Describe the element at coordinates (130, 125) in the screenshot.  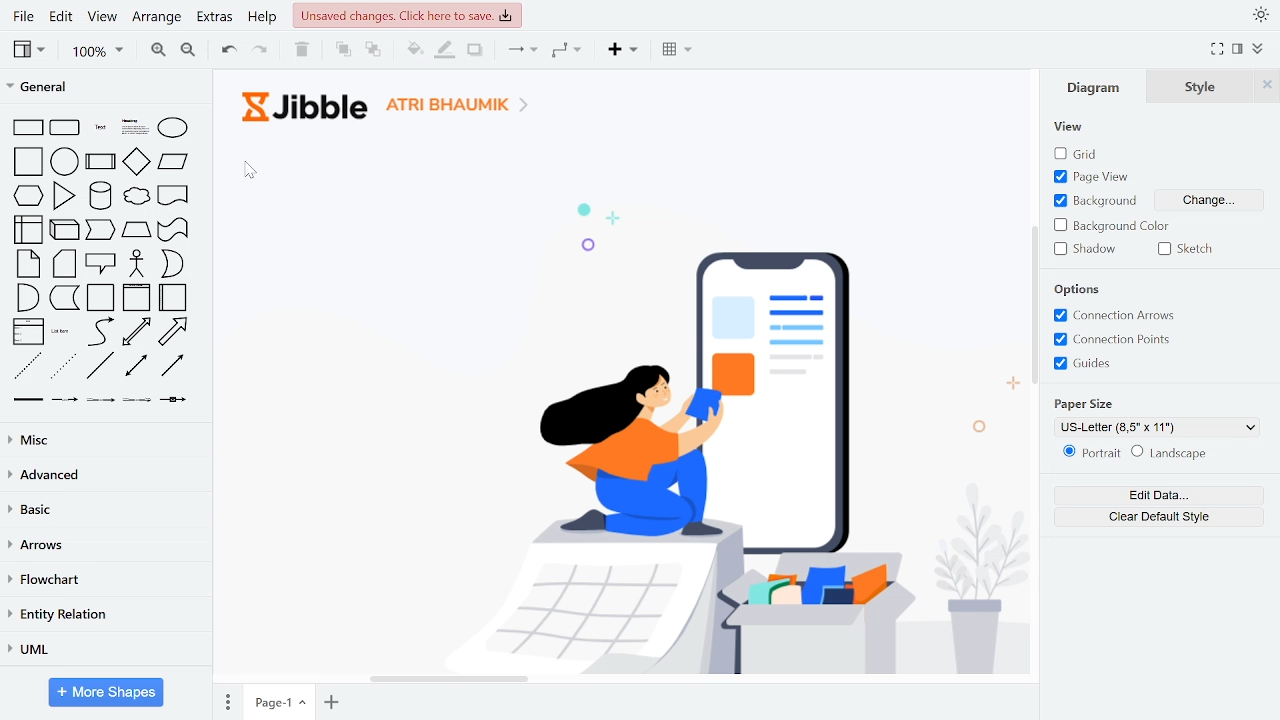
I see `general shapes` at that location.